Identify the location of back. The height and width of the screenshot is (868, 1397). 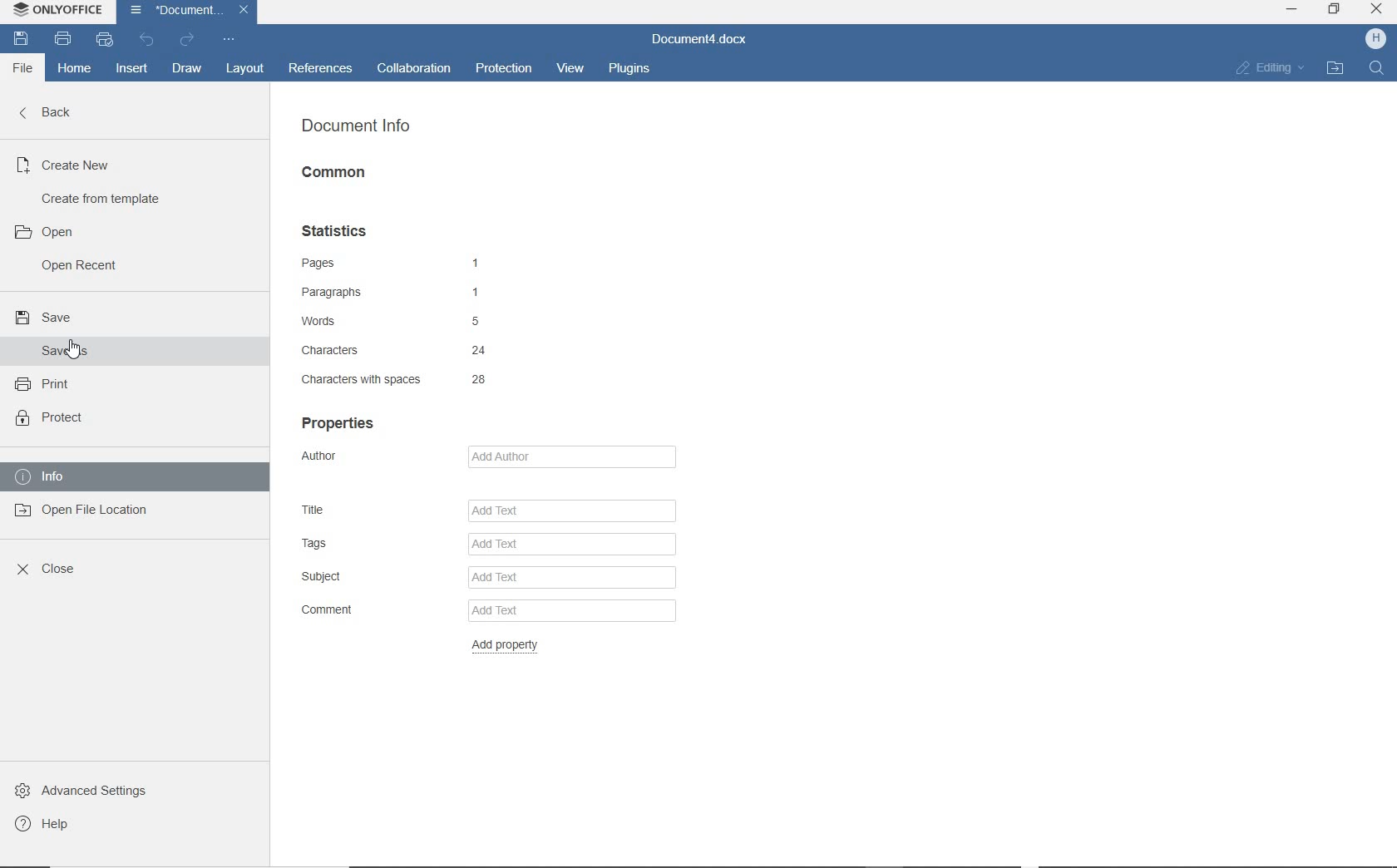
(54, 111).